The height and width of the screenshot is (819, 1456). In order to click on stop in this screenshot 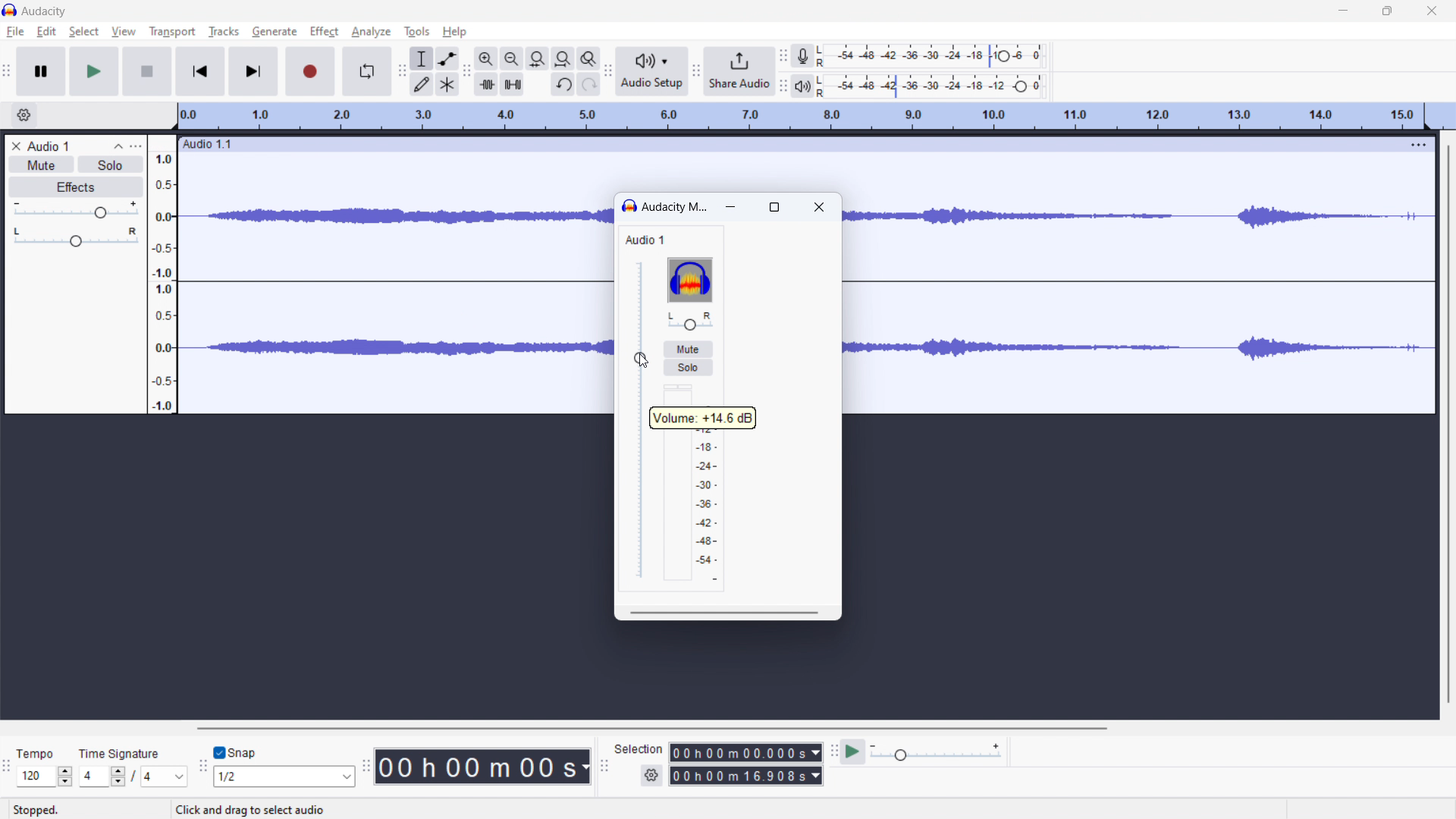, I will do `click(147, 72)`.